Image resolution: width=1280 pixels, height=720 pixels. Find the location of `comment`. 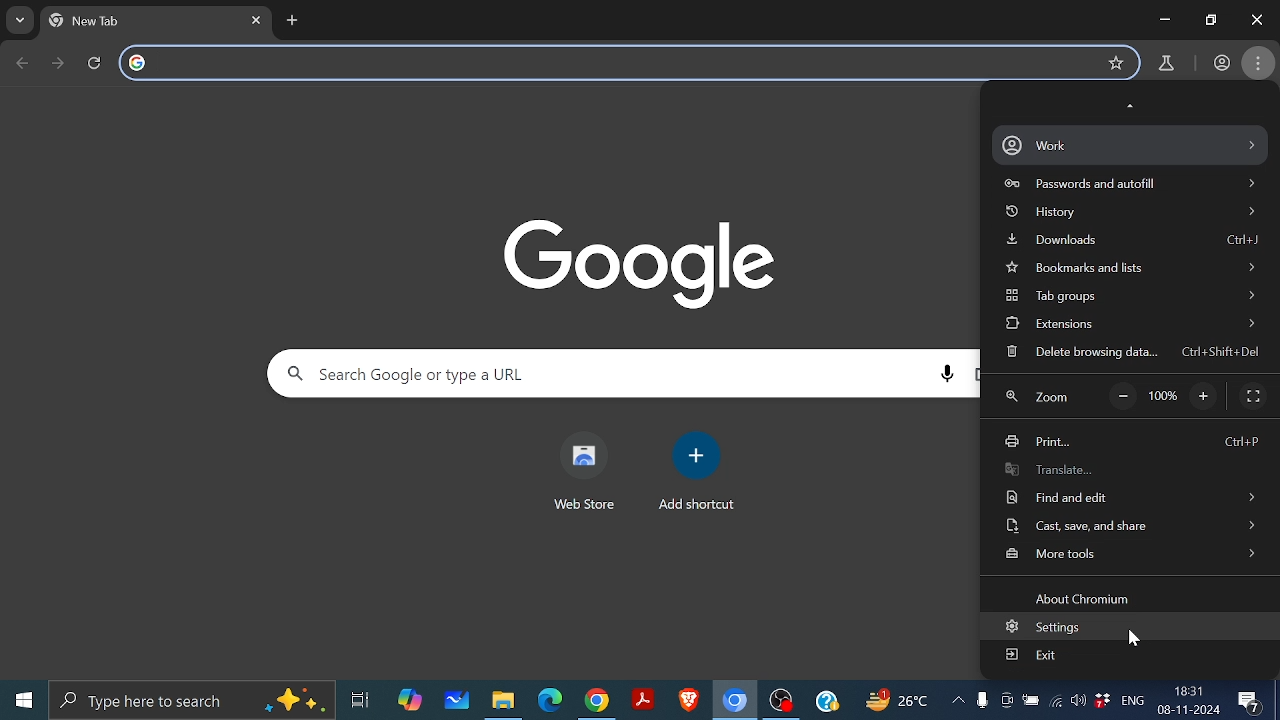

comment is located at coordinates (1252, 703).